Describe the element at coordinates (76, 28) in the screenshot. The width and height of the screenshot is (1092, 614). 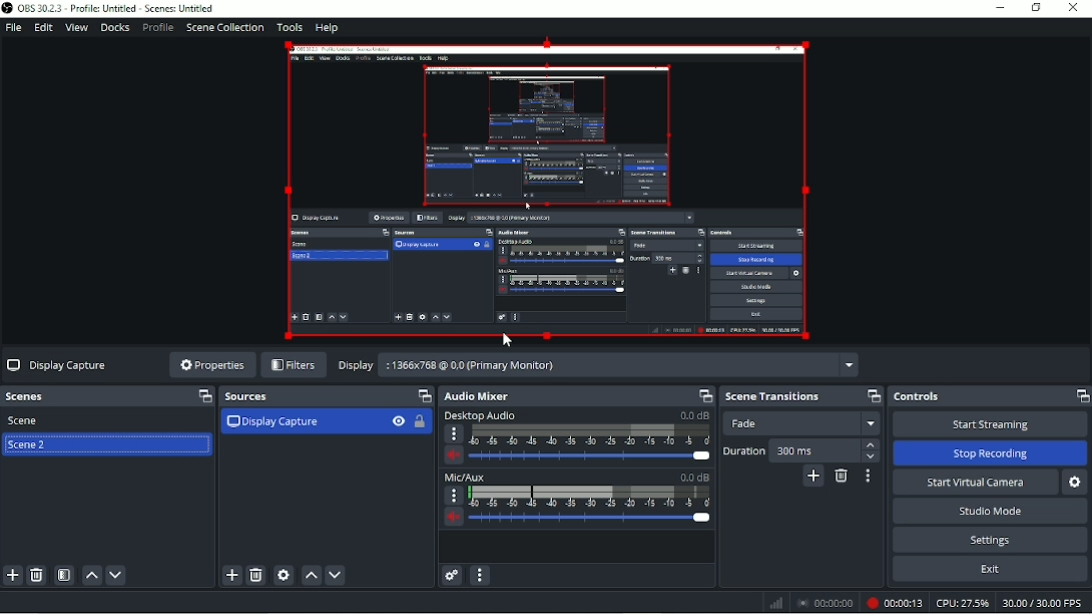
I see `View` at that location.